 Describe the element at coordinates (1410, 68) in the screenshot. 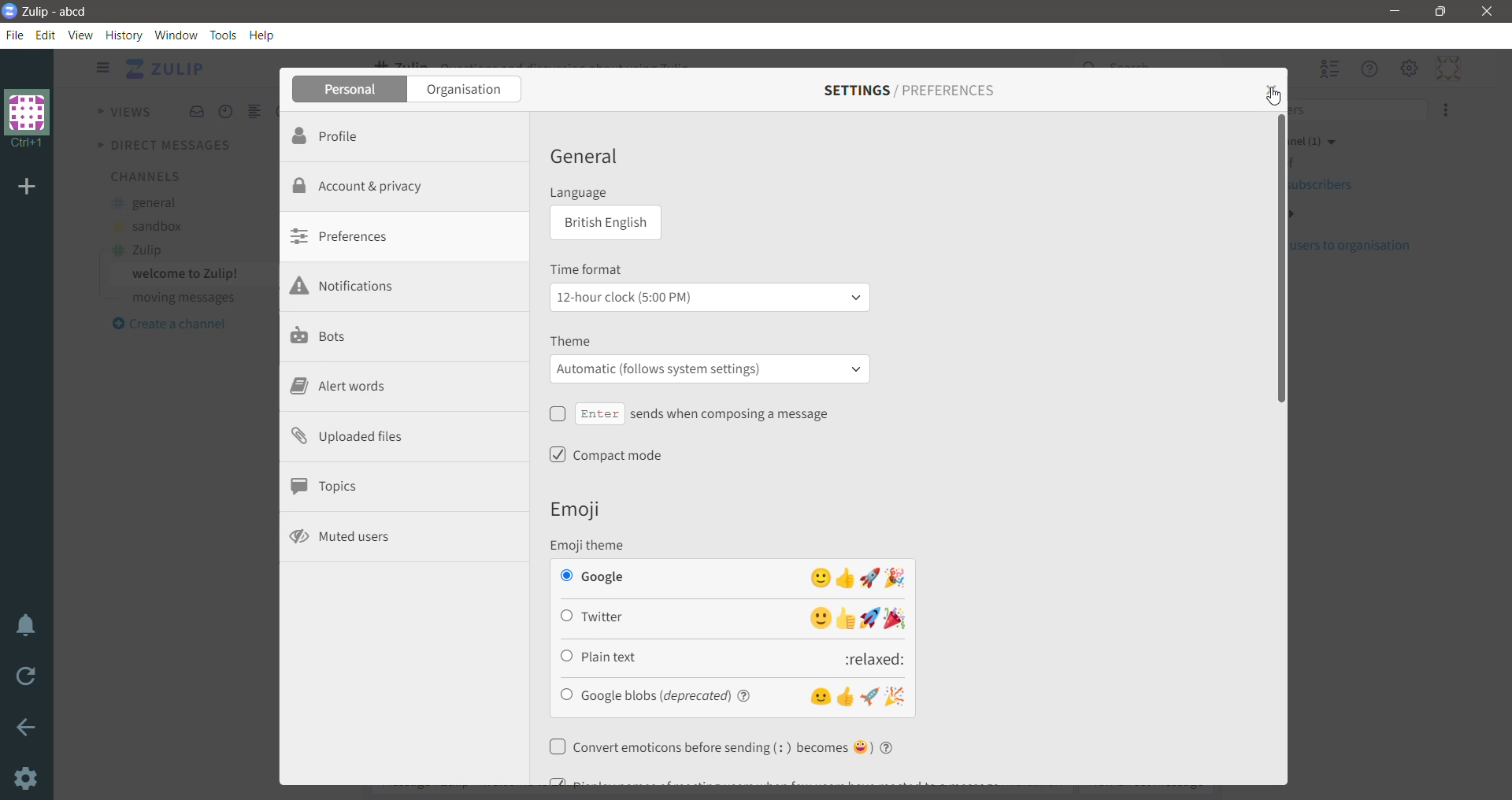

I see `Main Menu` at that location.